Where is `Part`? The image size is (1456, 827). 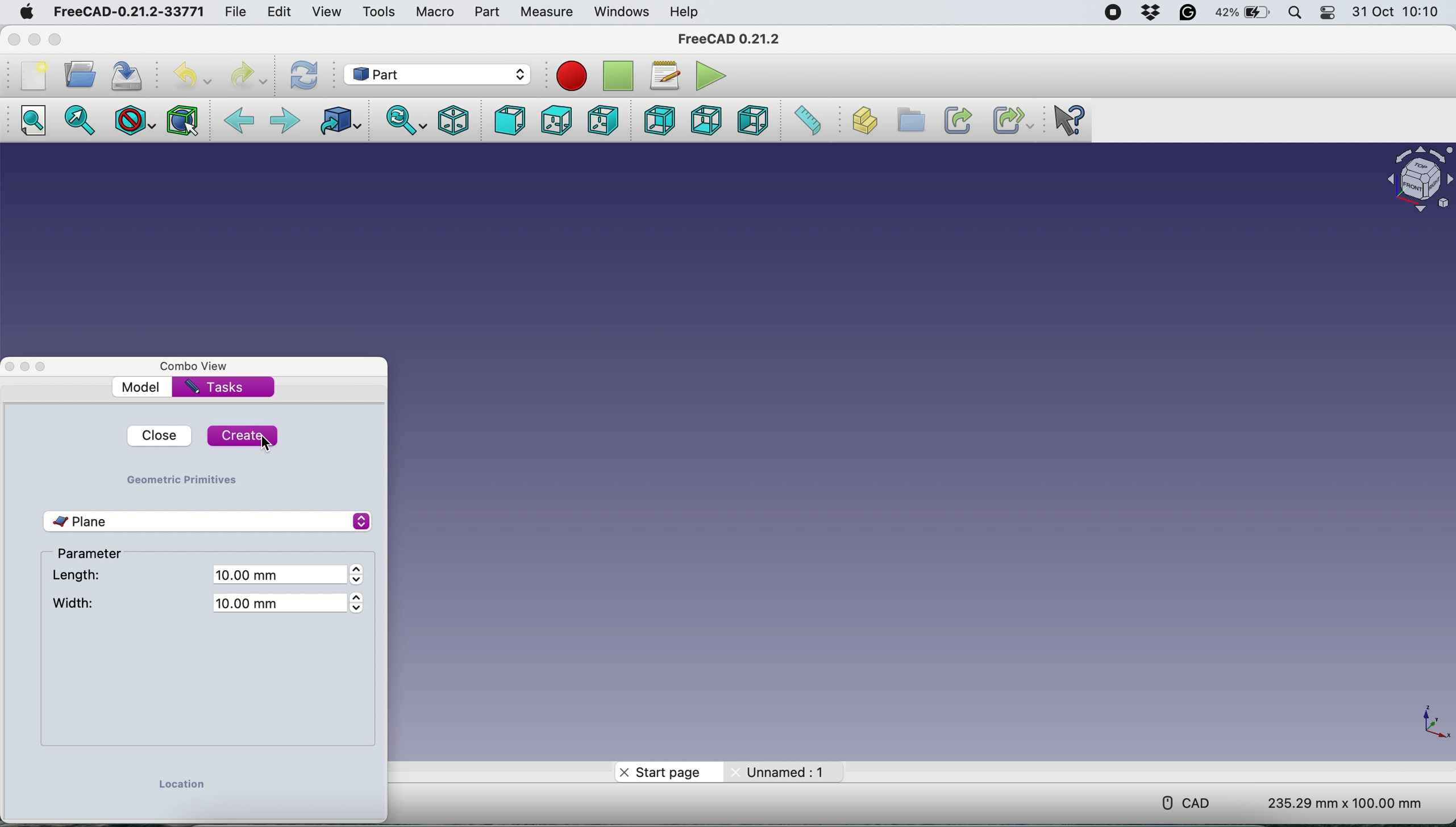
Part is located at coordinates (488, 11).